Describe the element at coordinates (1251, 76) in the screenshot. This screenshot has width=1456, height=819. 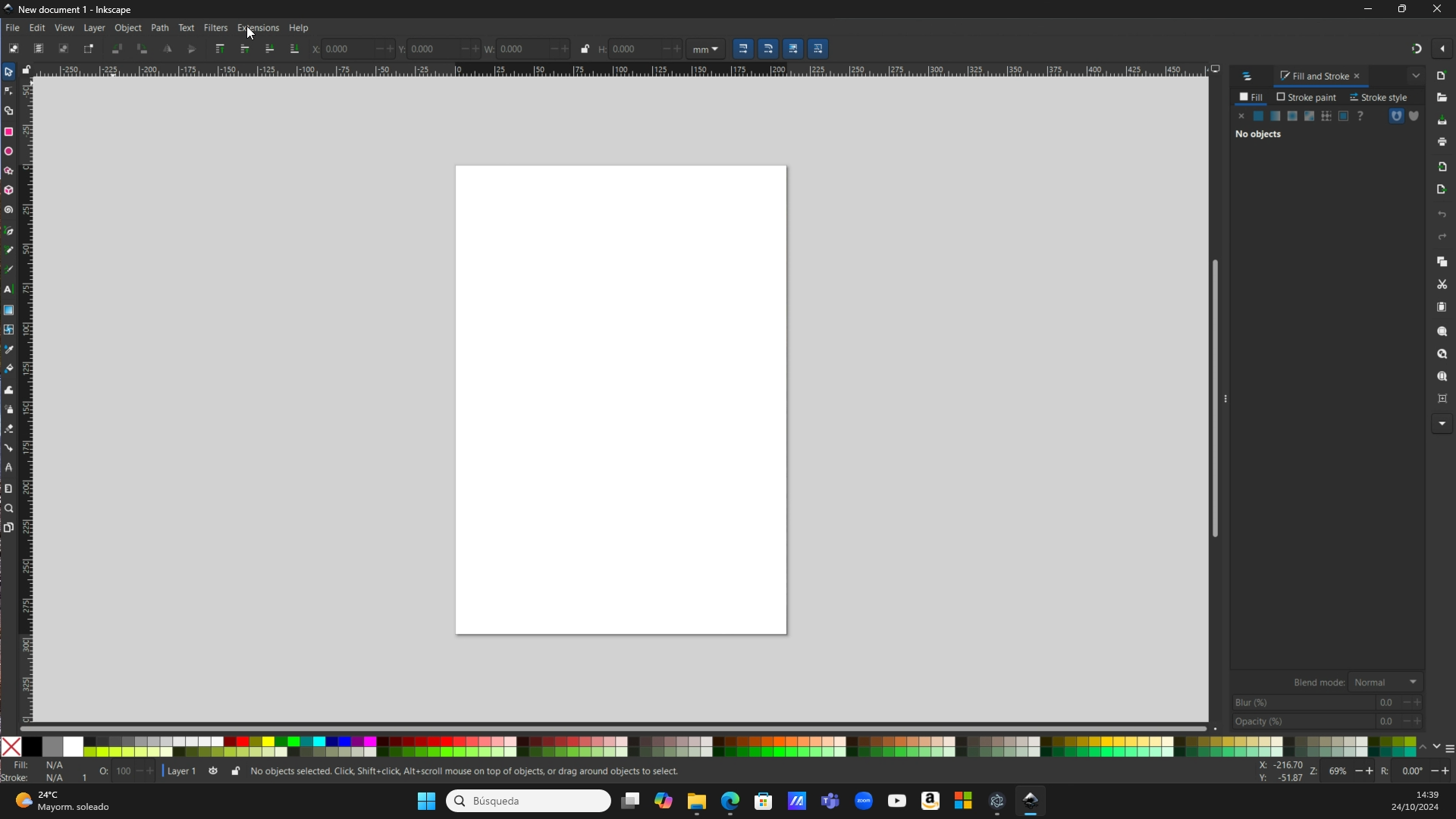
I see `Logo` at that location.